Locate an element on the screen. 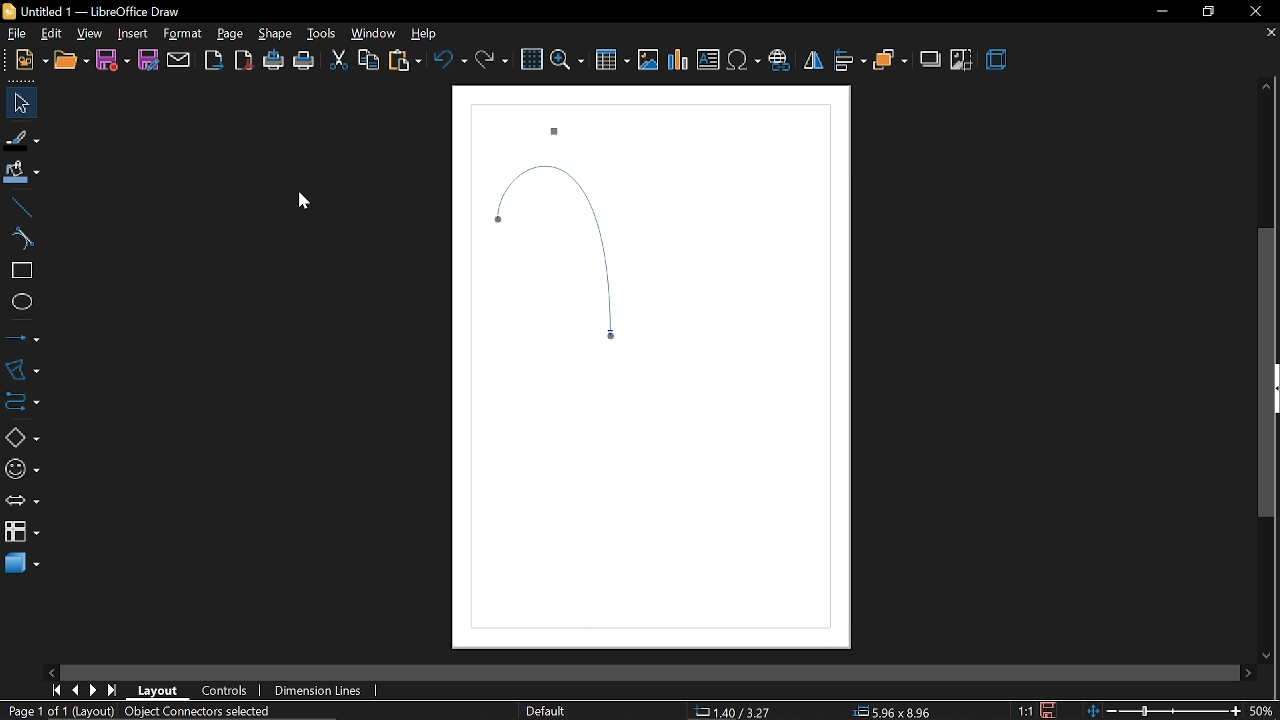 This screenshot has height=720, width=1280. (Layout) Object Connectors selected is located at coordinates (173, 712).